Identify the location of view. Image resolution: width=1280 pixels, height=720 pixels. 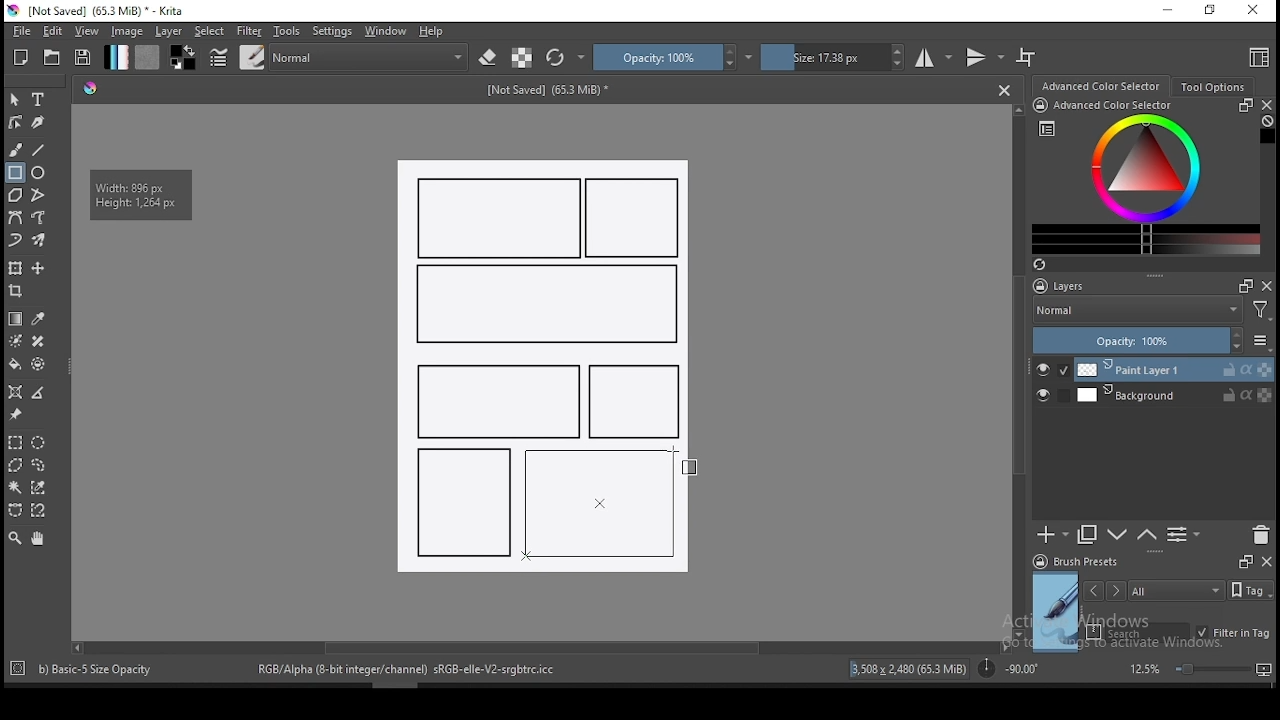
(86, 31).